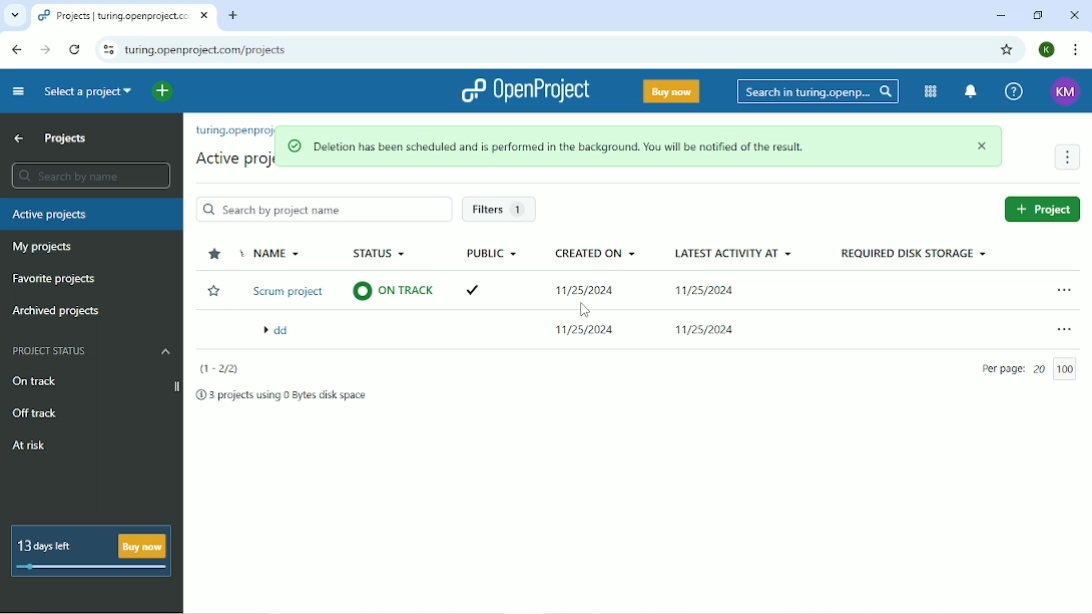 The image size is (1092, 614). What do you see at coordinates (584, 331) in the screenshot?
I see `11/25/2024` at bounding box center [584, 331].